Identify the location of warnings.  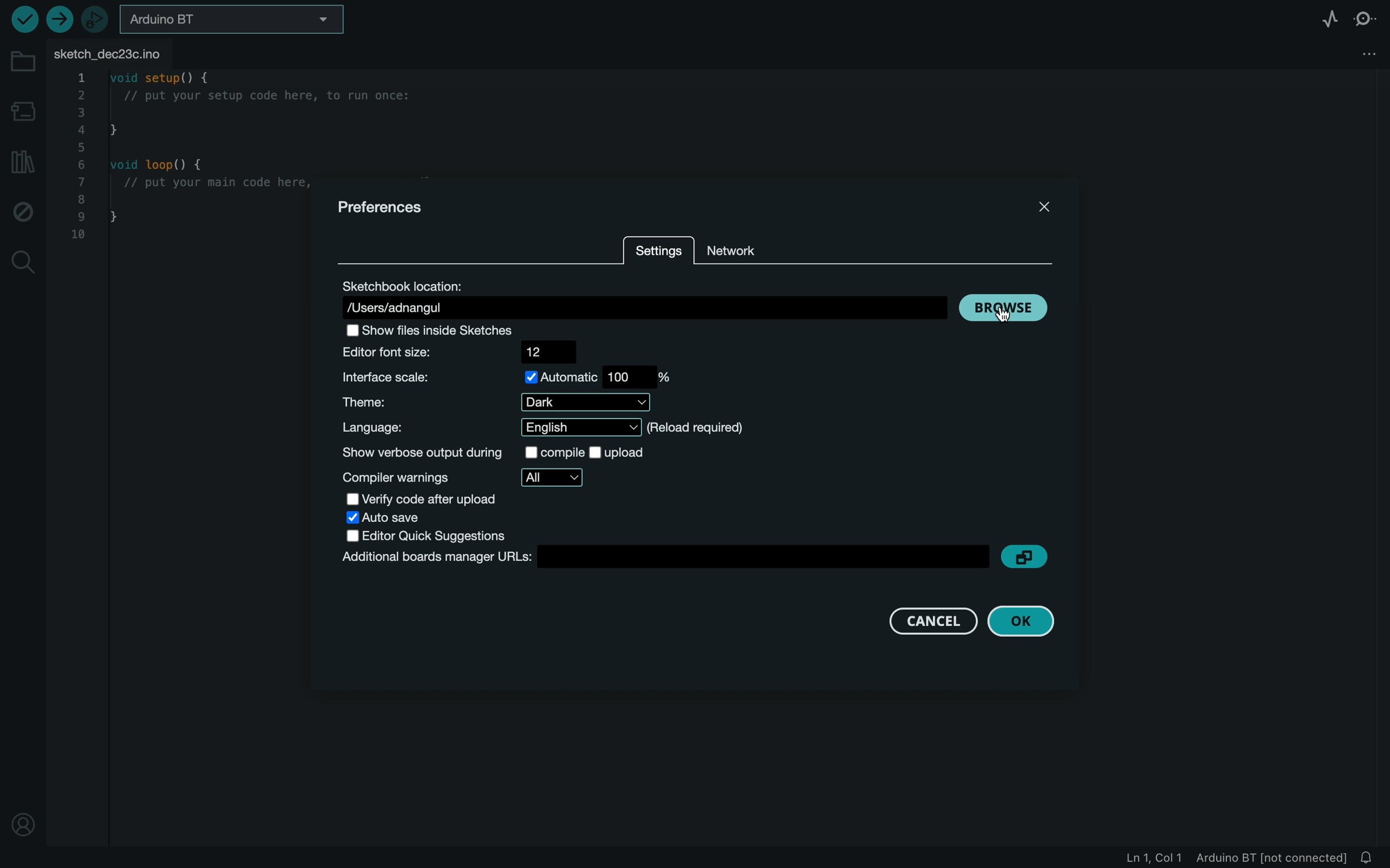
(491, 478).